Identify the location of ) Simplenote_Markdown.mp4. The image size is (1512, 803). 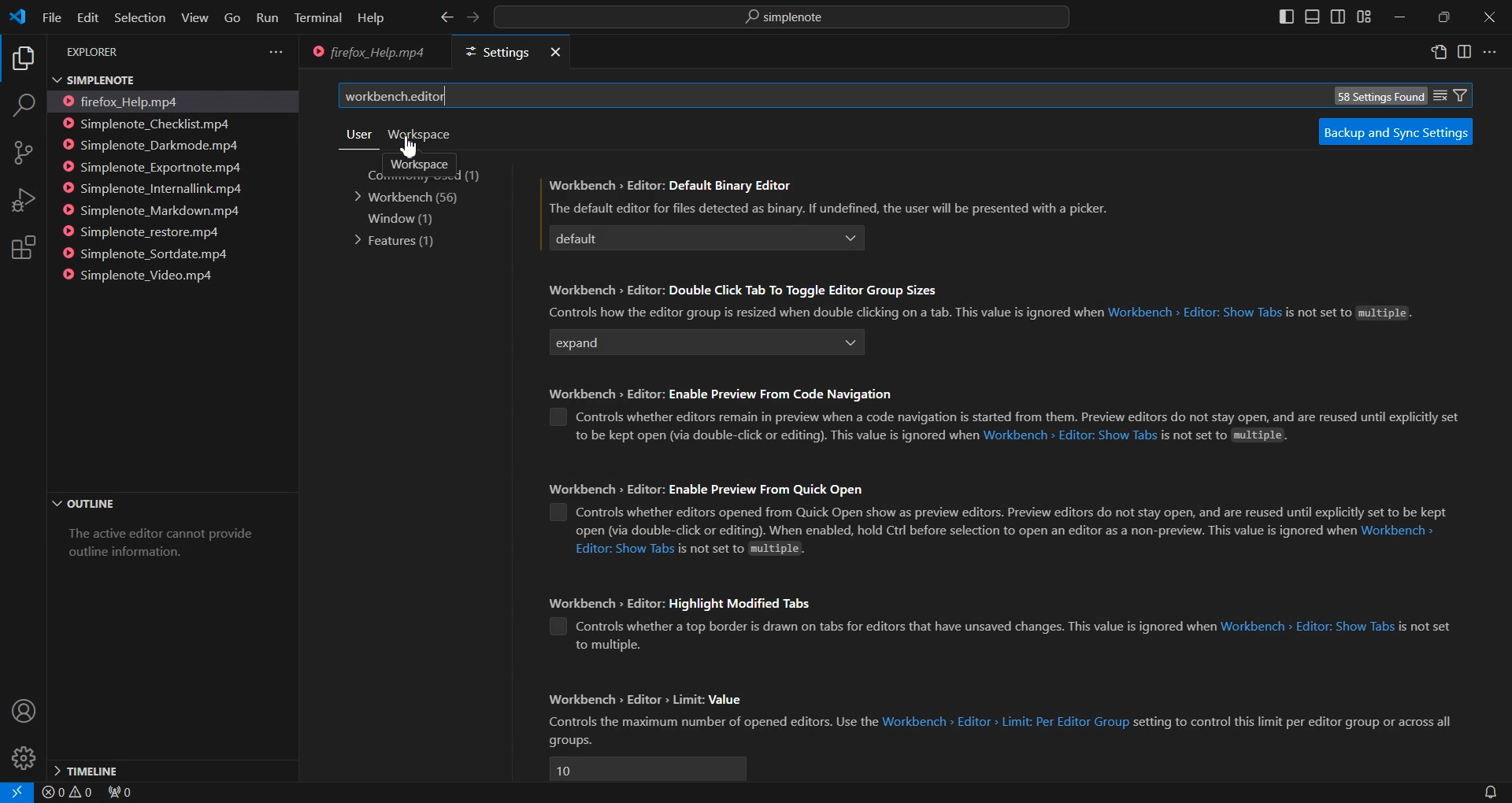
(150, 211).